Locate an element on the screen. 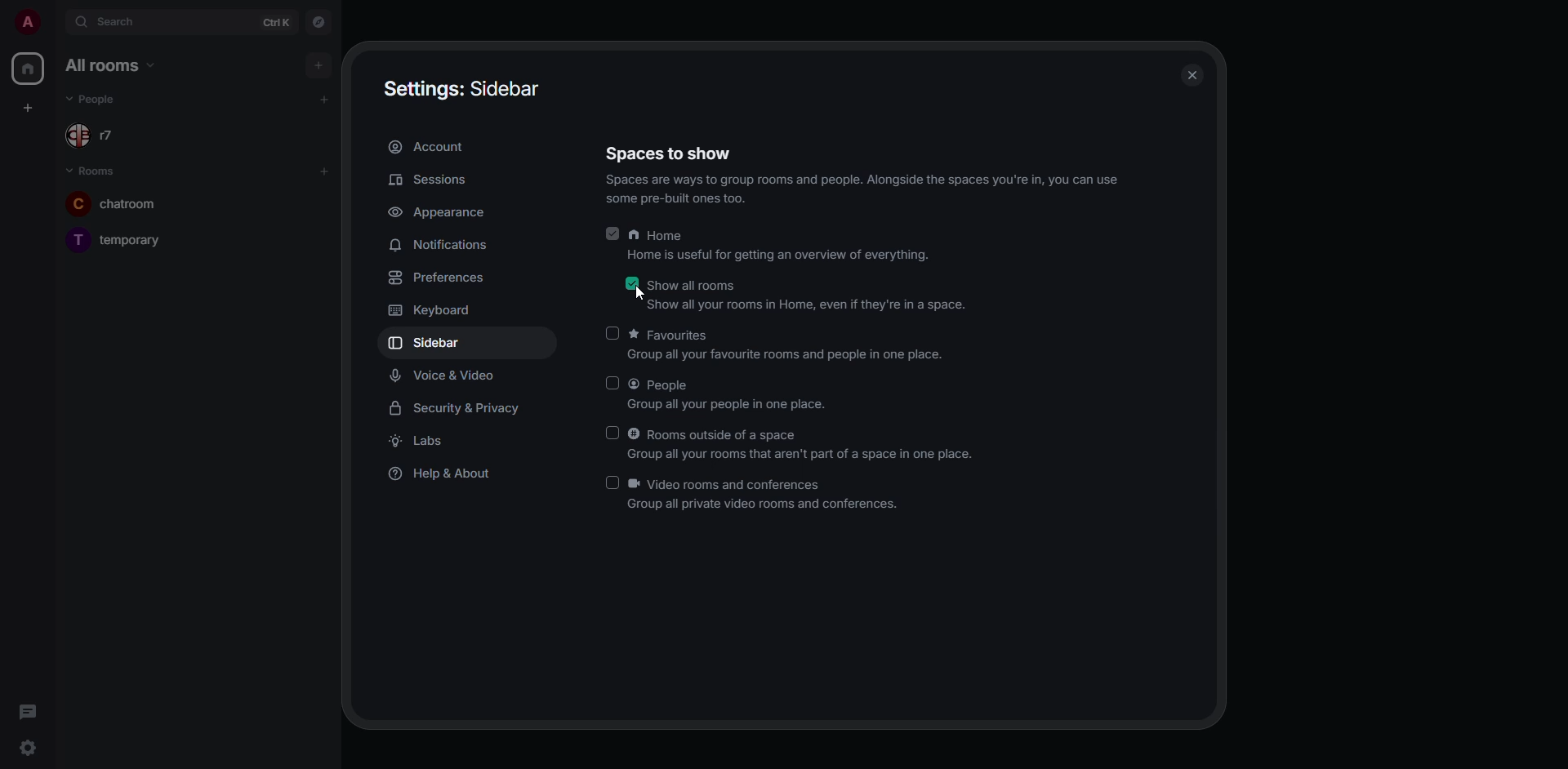  security & privacy is located at coordinates (459, 409).